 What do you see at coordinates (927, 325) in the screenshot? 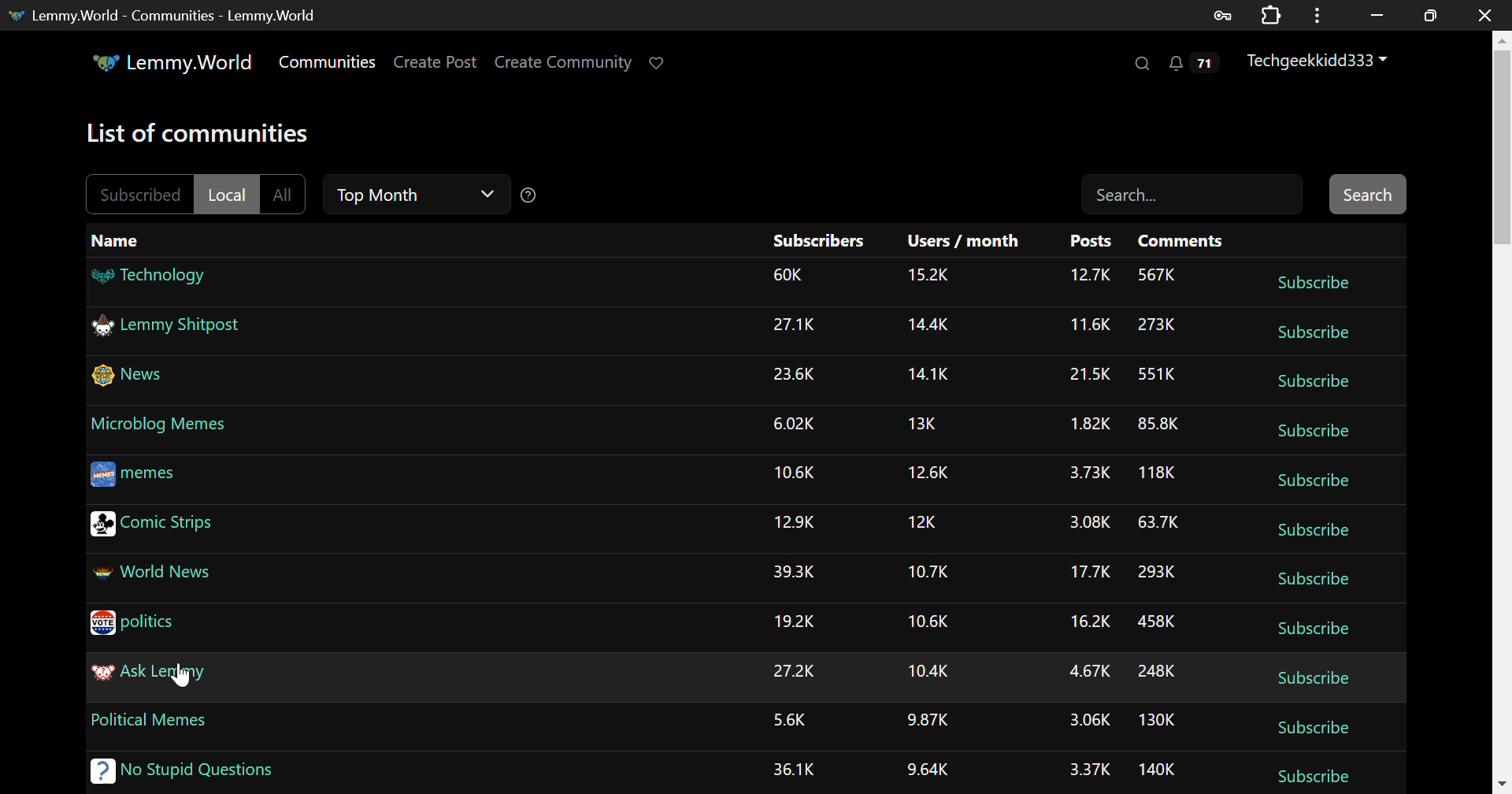
I see `Amount` at bounding box center [927, 325].